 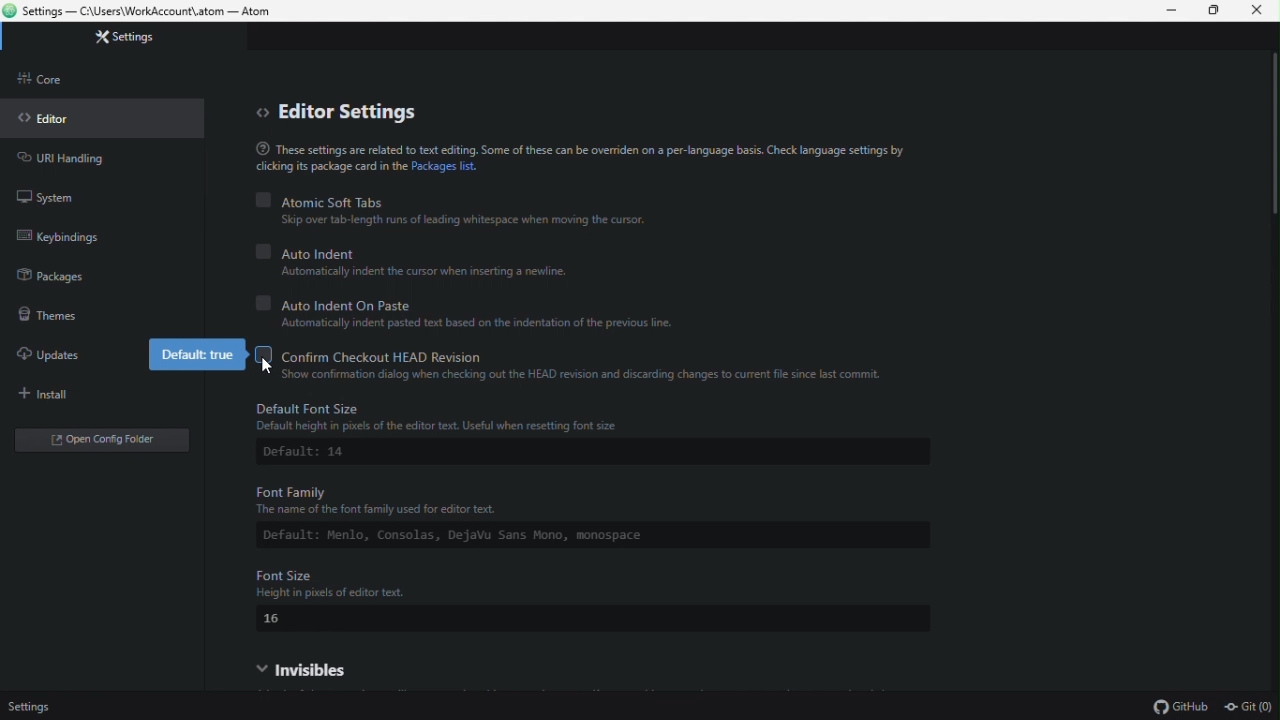 I want to click on ® These settings are related to text editing. Some of these can be overriden on a per-language basis. Check language settings bycicking its package card in the Packages list., so click(x=595, y=155).